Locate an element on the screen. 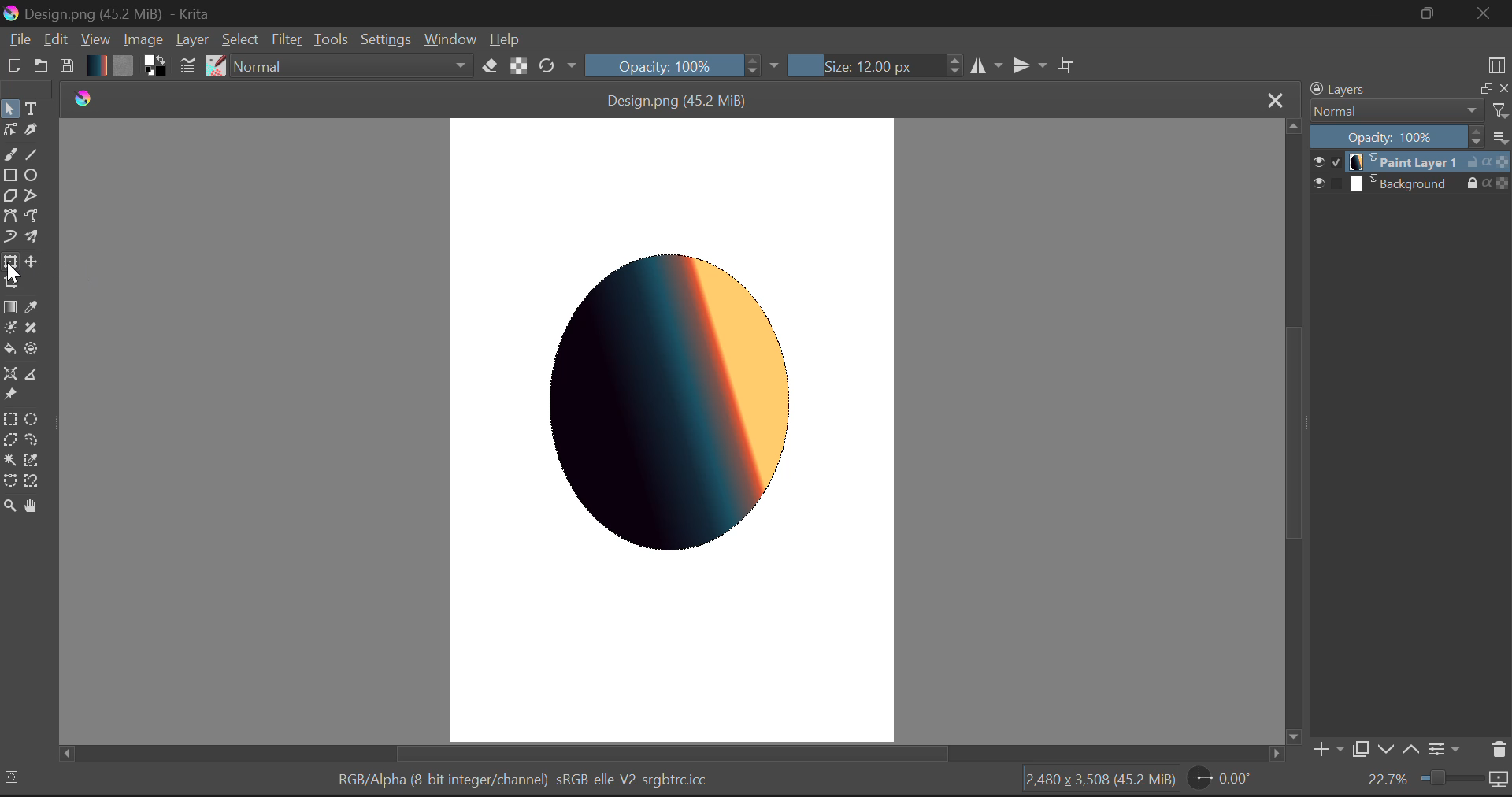 This screenshot has height=797, width=1512. Page Rotation is located at coordinates (1218, 780).